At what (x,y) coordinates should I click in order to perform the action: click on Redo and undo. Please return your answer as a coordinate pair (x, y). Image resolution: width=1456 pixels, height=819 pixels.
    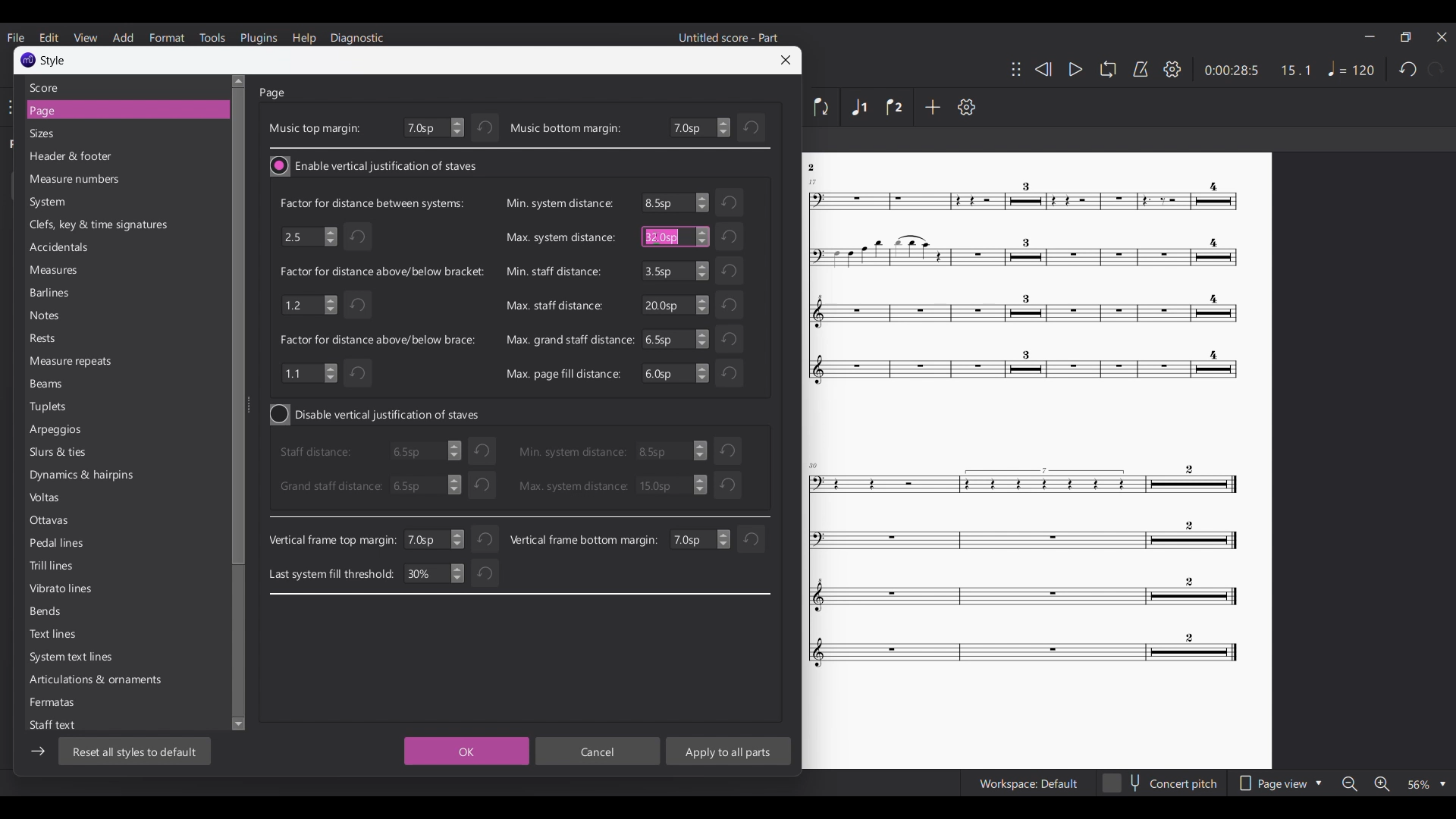
    Looking at the image, I should click on (1421, 69).